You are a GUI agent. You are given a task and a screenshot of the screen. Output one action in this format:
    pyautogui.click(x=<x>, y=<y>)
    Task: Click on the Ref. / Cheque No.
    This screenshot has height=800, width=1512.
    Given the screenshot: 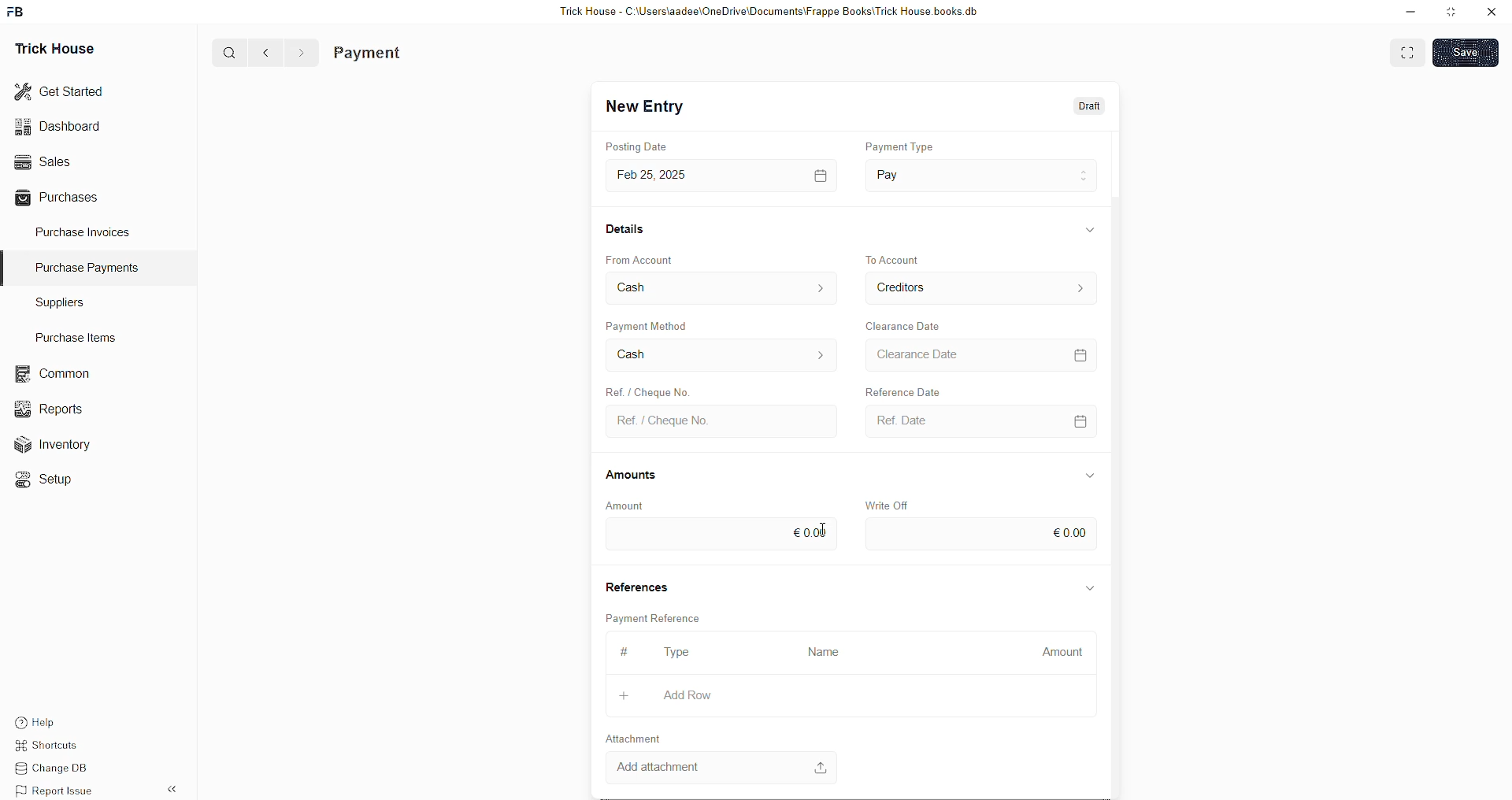 What is the action you would take?
    pyautogui.click(x=659, y=423)
    